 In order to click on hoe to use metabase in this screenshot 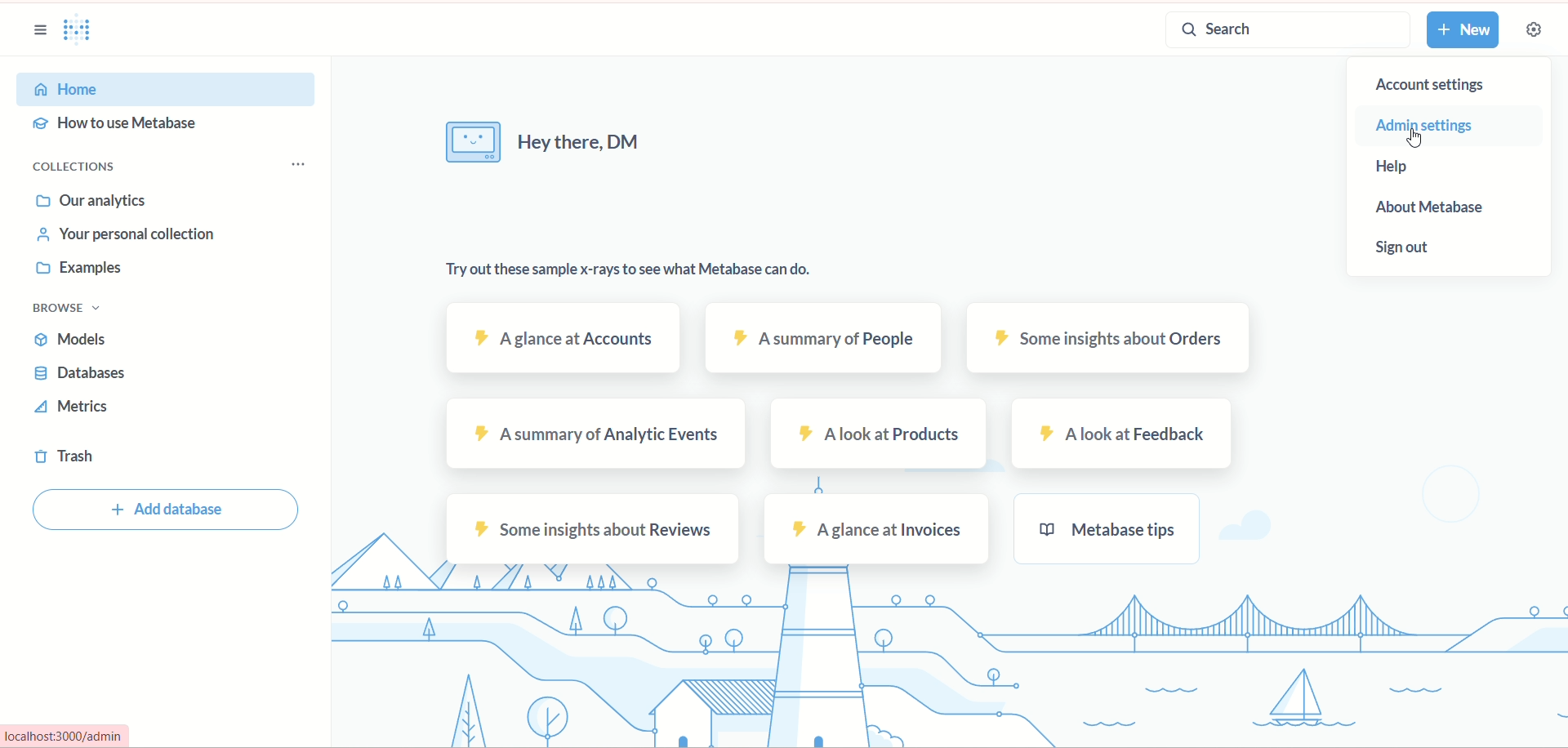, I will do `click(123, 127)`.